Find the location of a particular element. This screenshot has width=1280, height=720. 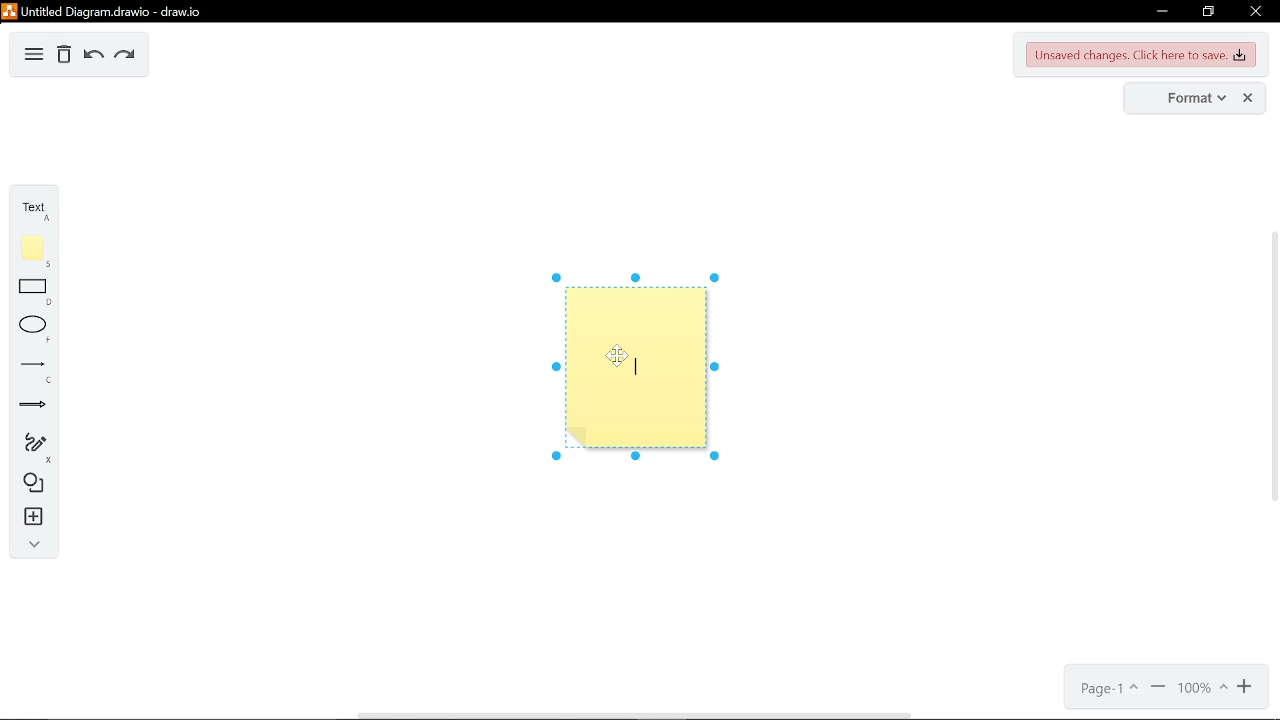

close is located at coordinates (1249, 98).